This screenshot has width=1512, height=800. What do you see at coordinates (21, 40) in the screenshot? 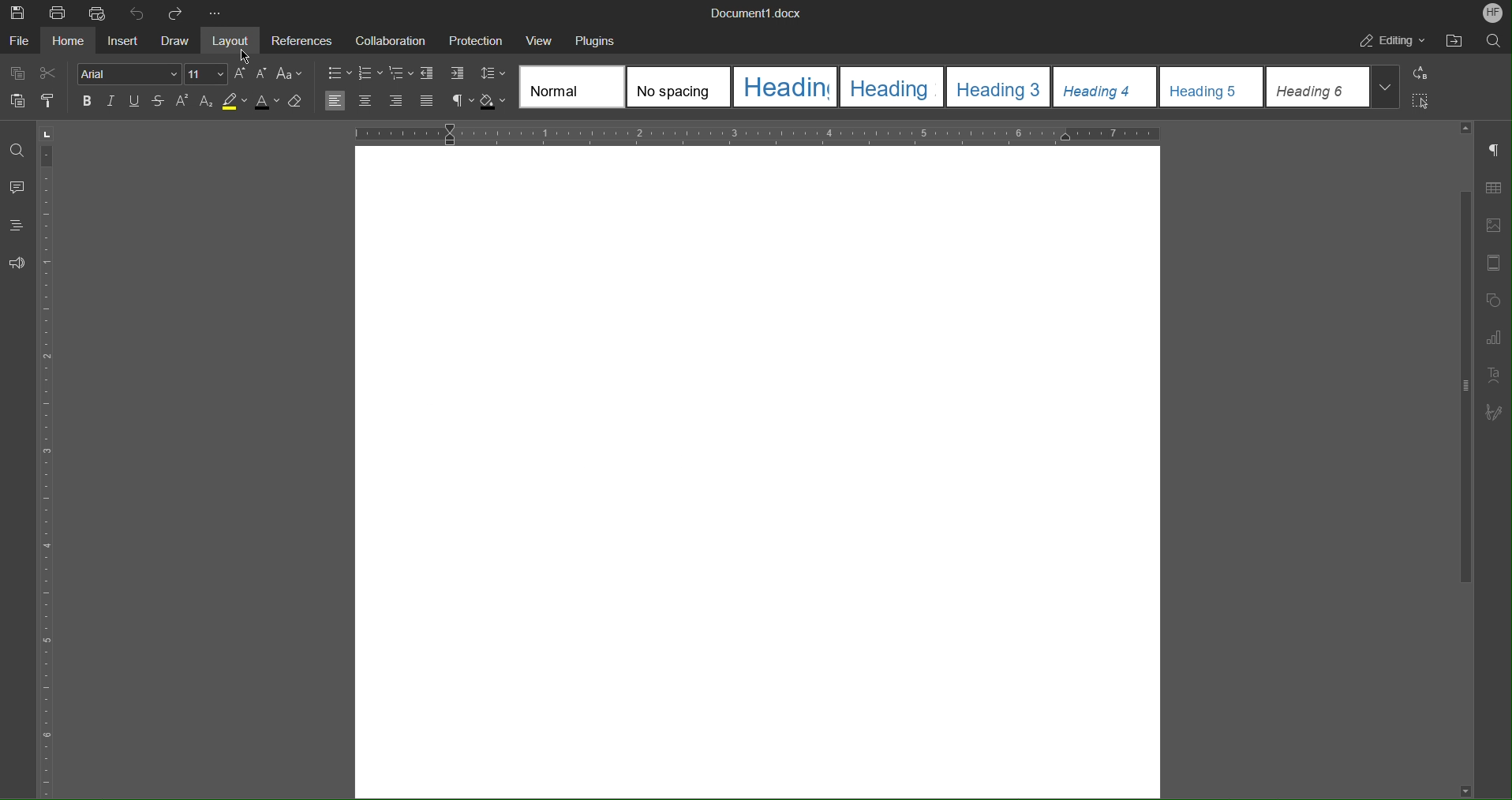
I see `File` at bounding box center [21, 40].